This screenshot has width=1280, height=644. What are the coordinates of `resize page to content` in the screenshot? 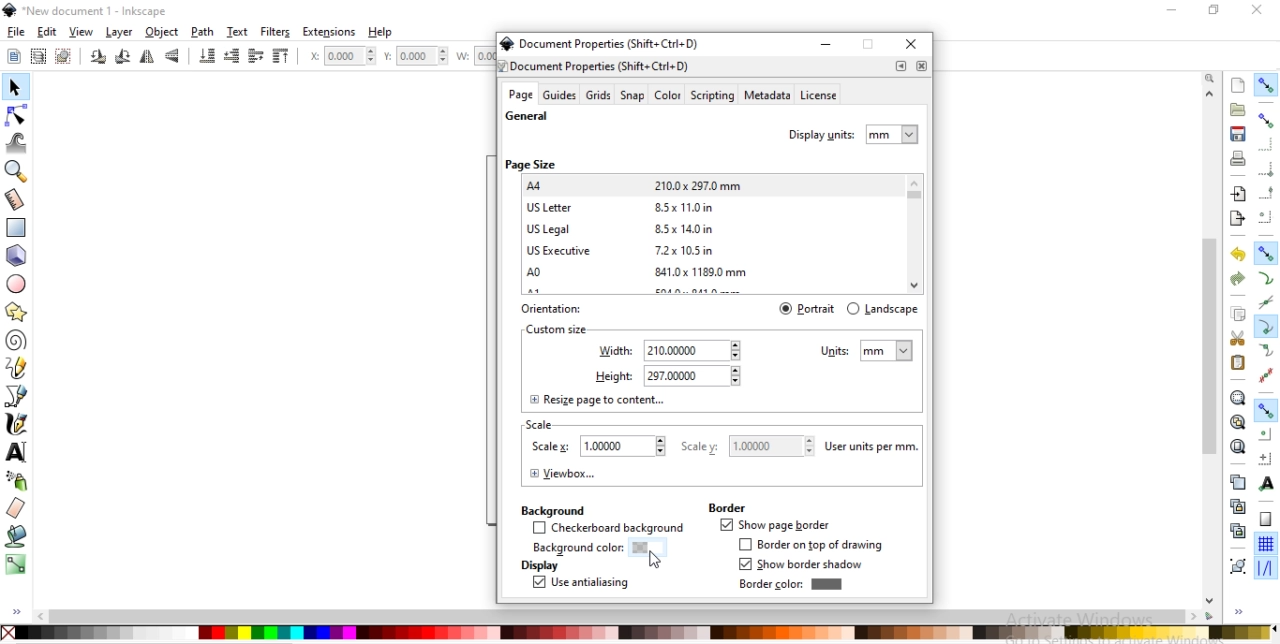 It's located at (596, 401).